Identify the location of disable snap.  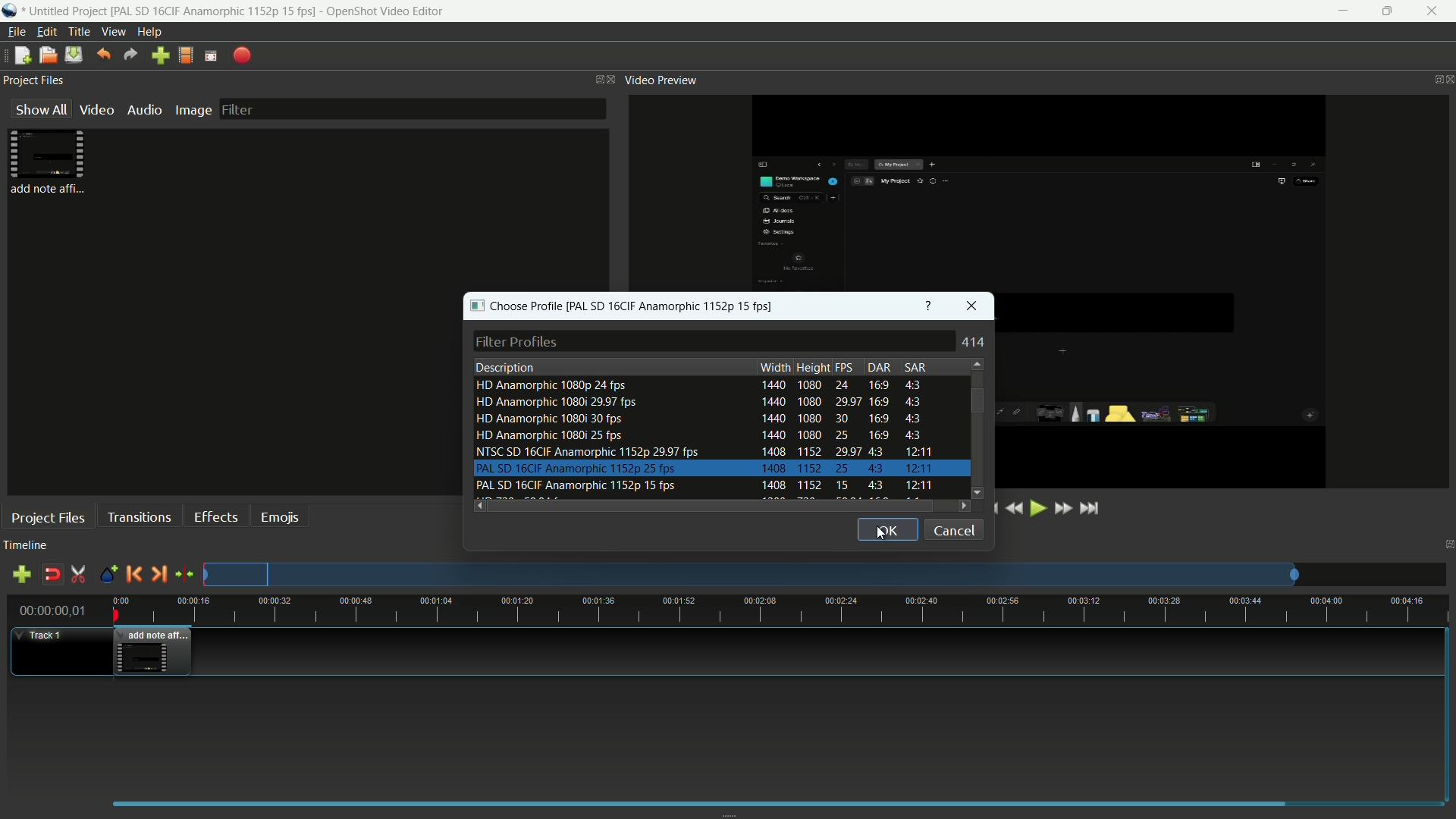
(52, 575).